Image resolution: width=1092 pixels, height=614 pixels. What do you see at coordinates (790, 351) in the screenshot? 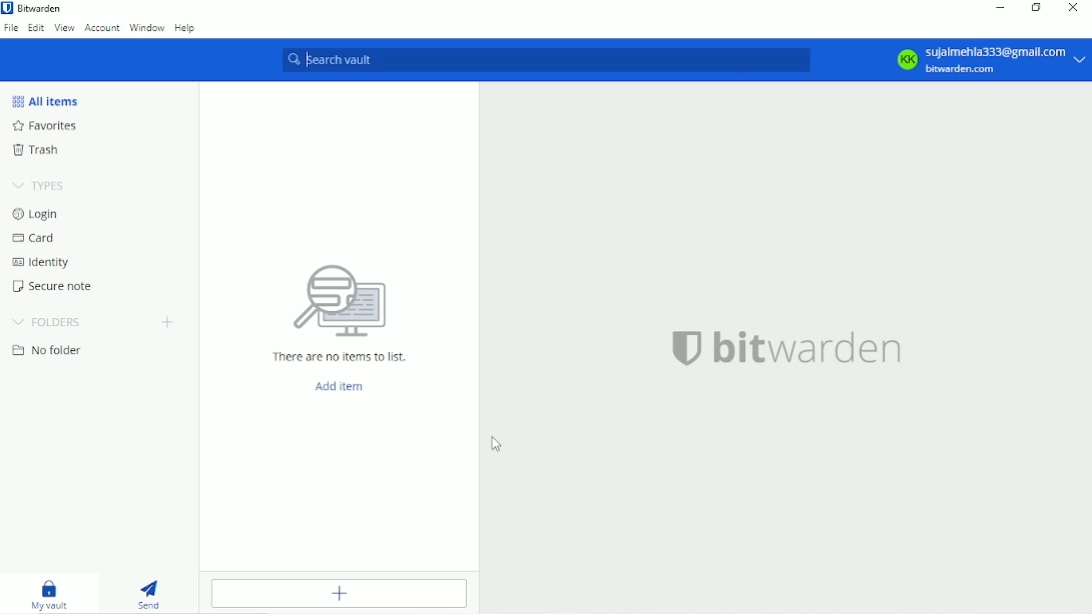
I see `bitwarden logo` at bounding box center [790, 351].